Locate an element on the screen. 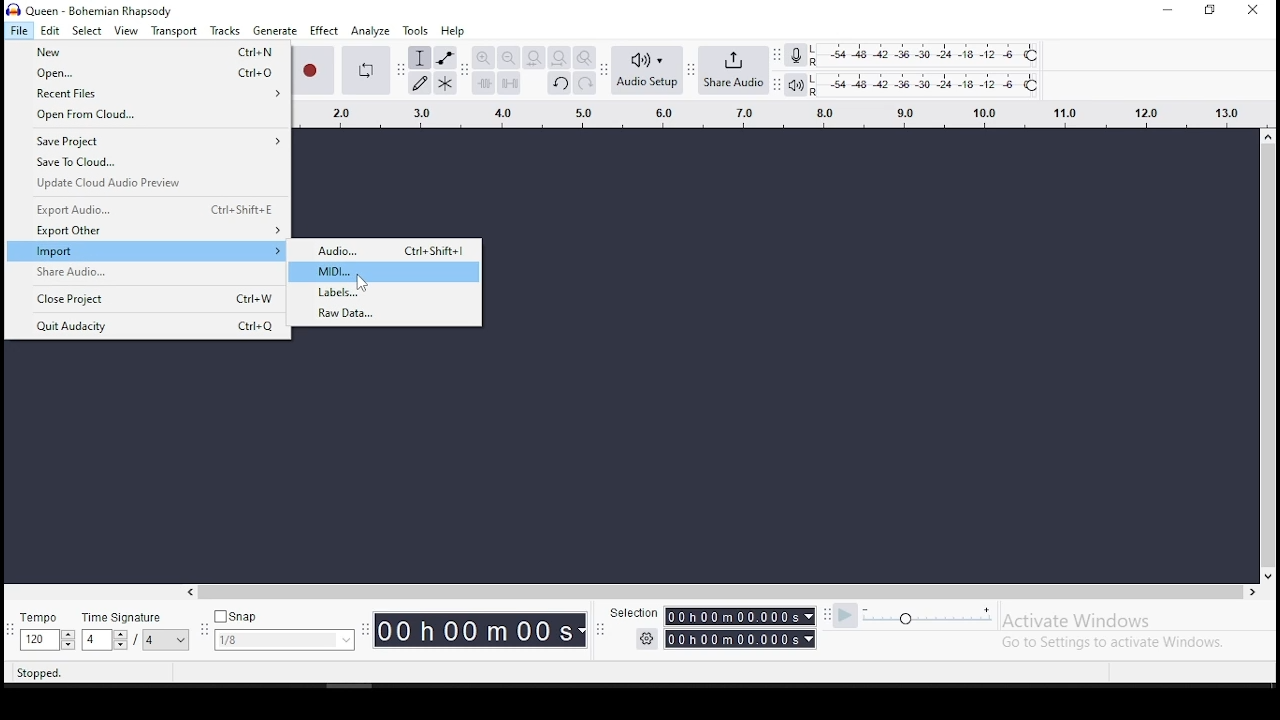 The height and width of the screenshot is (720, 1280). stopped is located at coordinates (39, 673).